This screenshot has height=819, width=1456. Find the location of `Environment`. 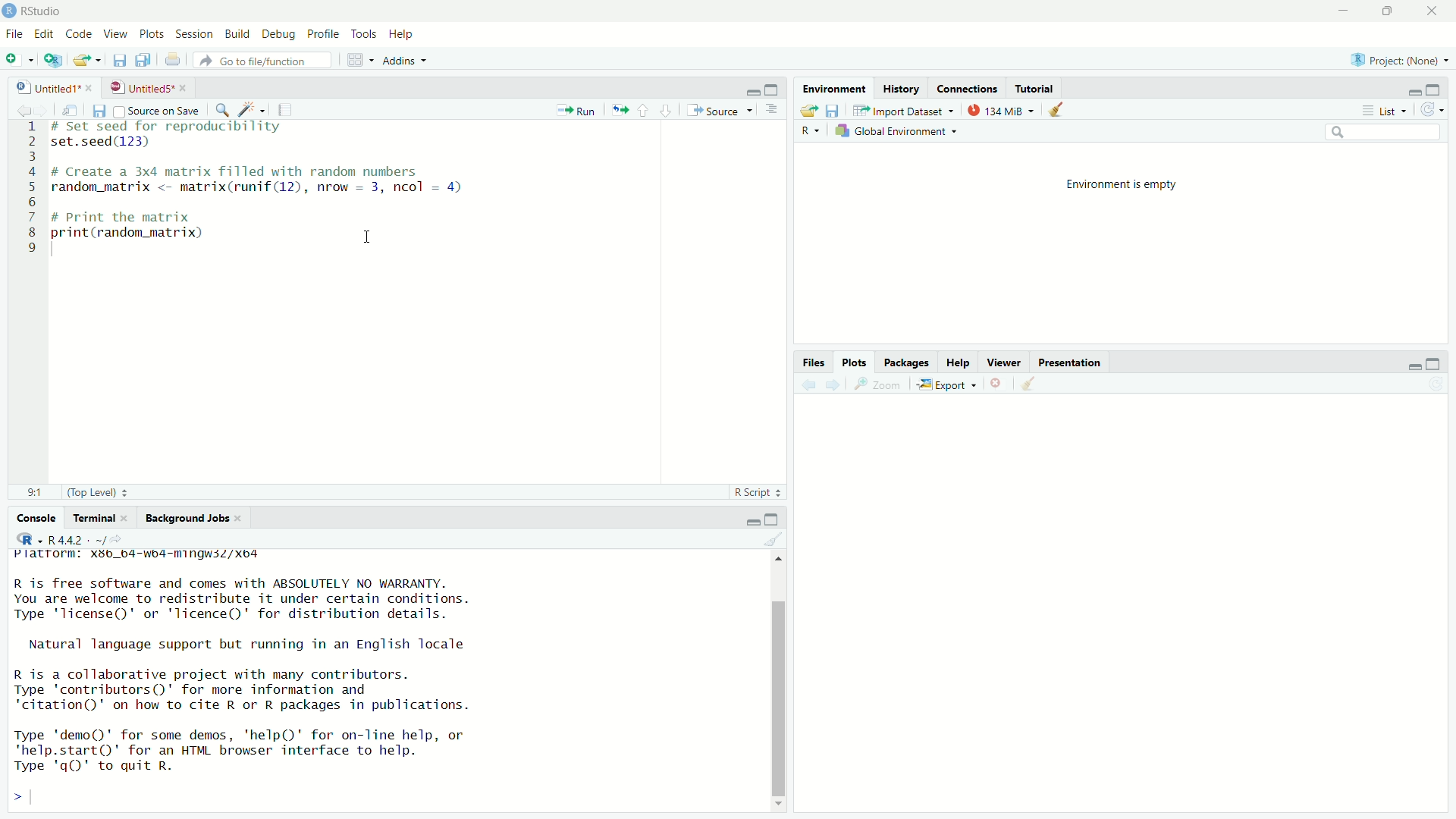

Environment is located at coordinates (834, 88).